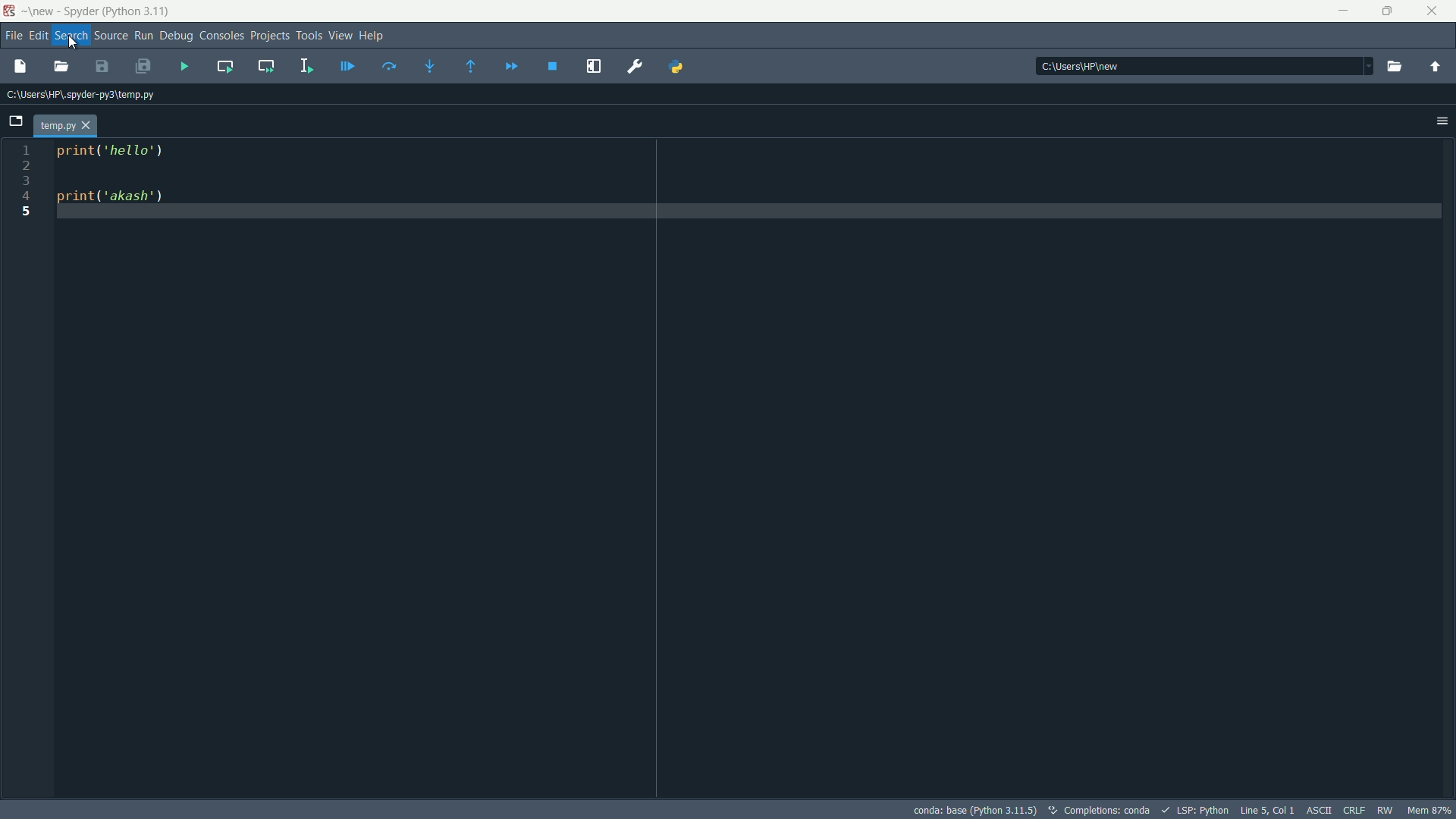 The height and width of the screenshot is (819, 1456). What do you see at coordinates (177, 36) in the screenshot?
I see `debug menu` at bounding box center [177, 36].